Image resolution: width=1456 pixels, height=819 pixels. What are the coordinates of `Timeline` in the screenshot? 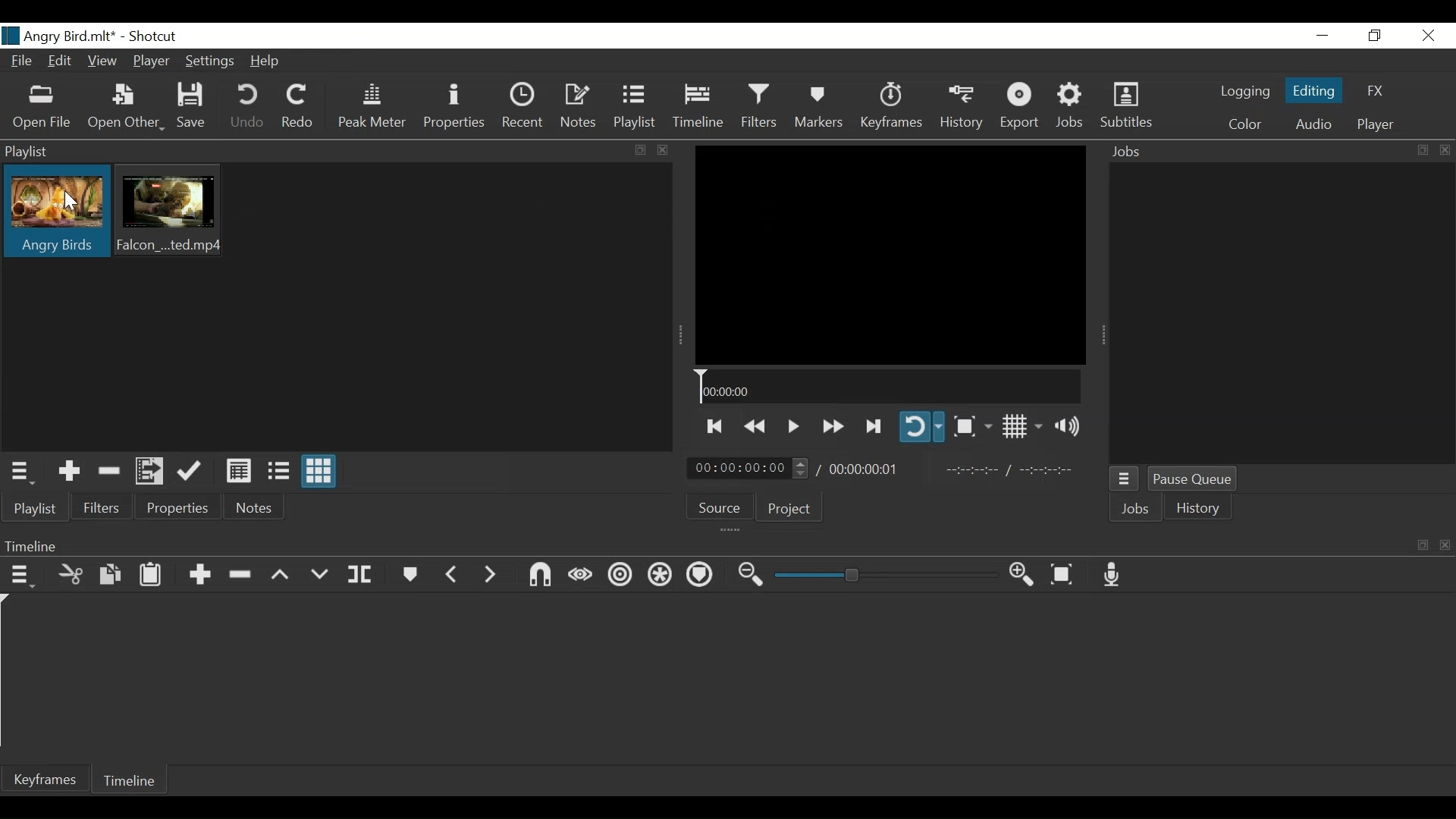 It's located at (136, 782).